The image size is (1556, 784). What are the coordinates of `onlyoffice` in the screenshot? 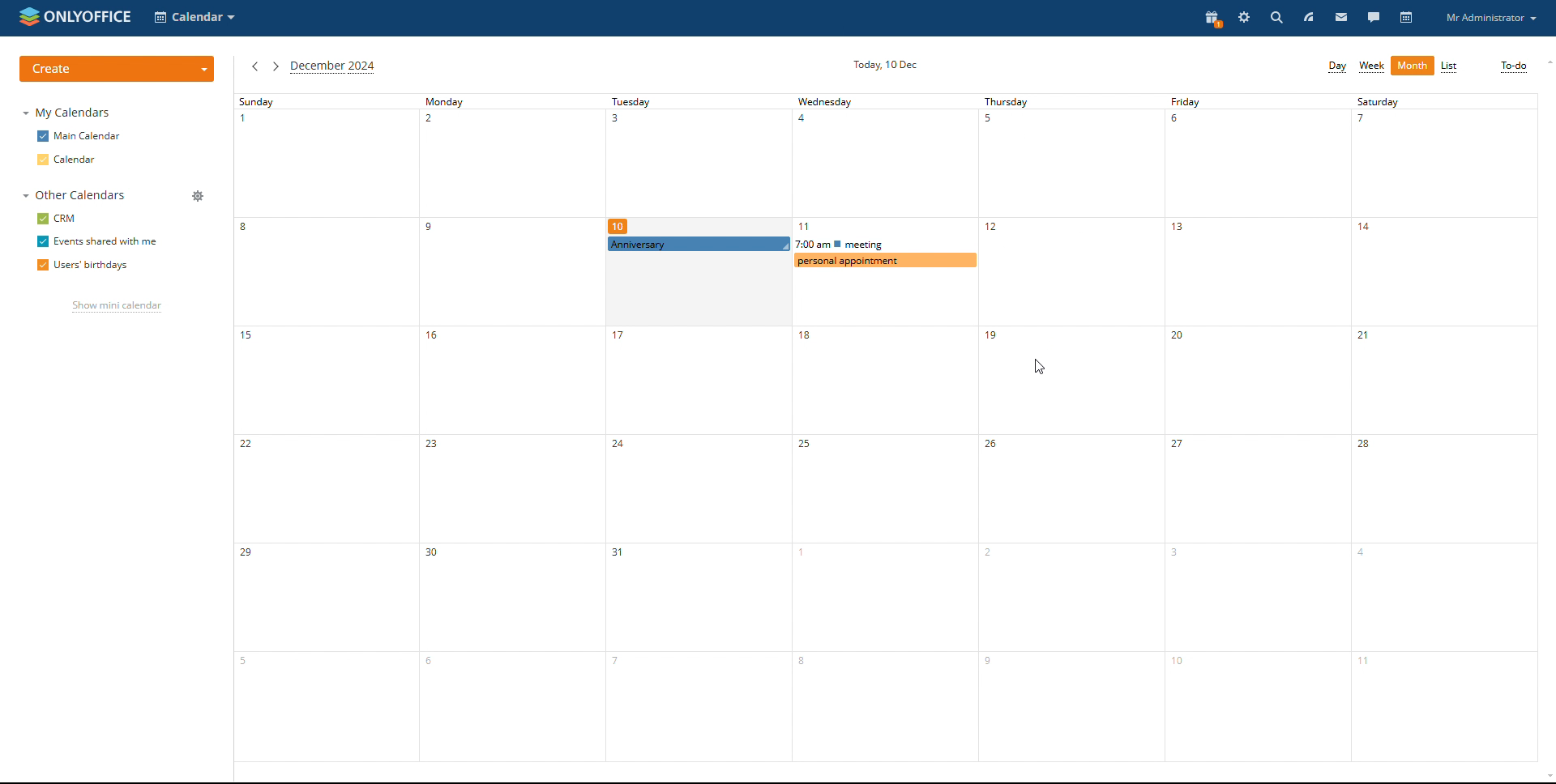 It's located at (93, 15).